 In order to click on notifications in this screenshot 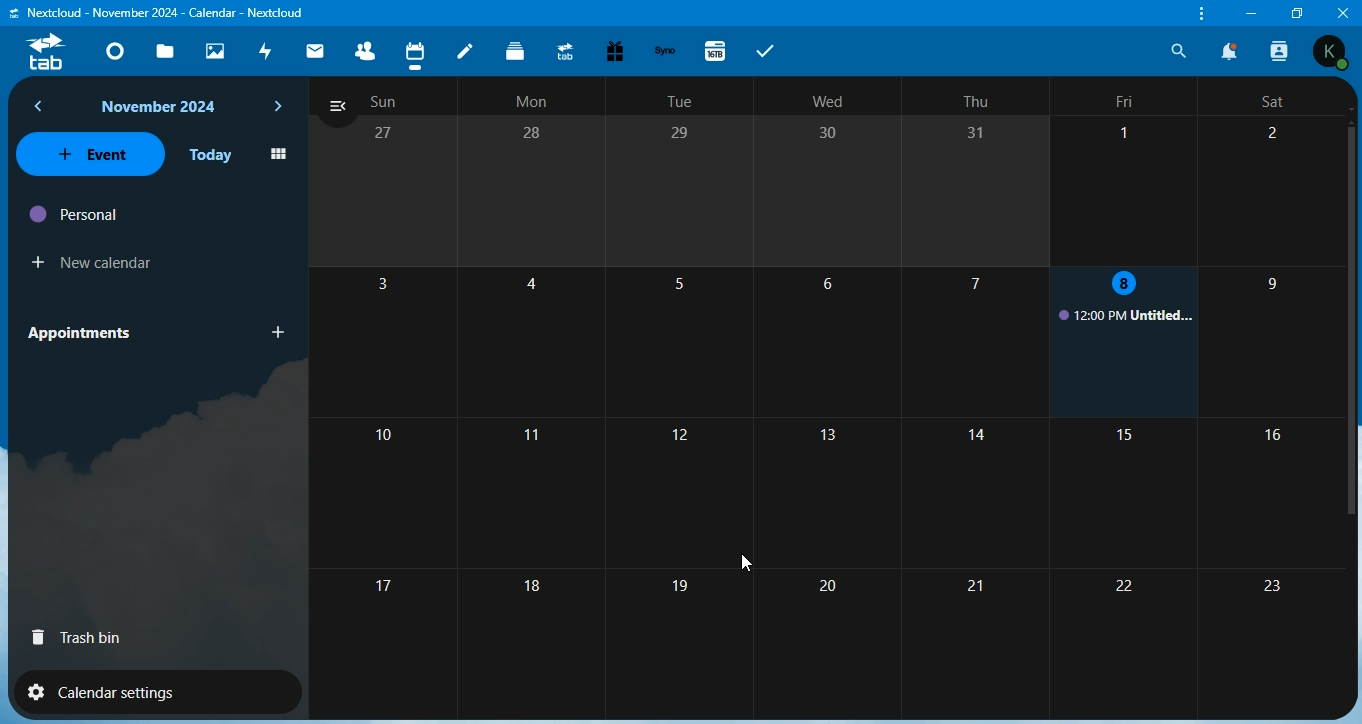, I will do `click(1231, 51)`.